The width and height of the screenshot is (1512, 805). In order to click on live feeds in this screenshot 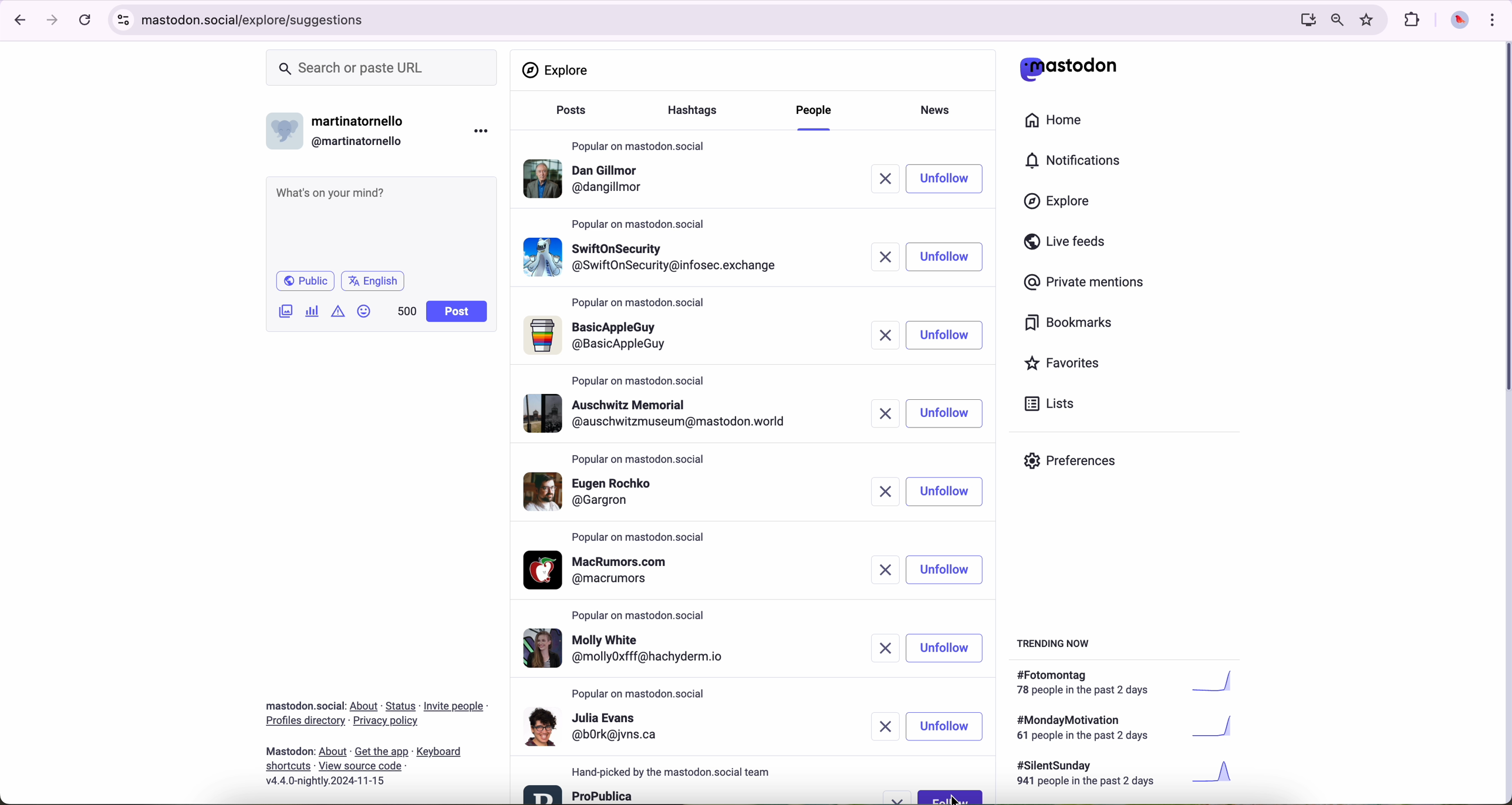, I will do `click(1069, 244)`.